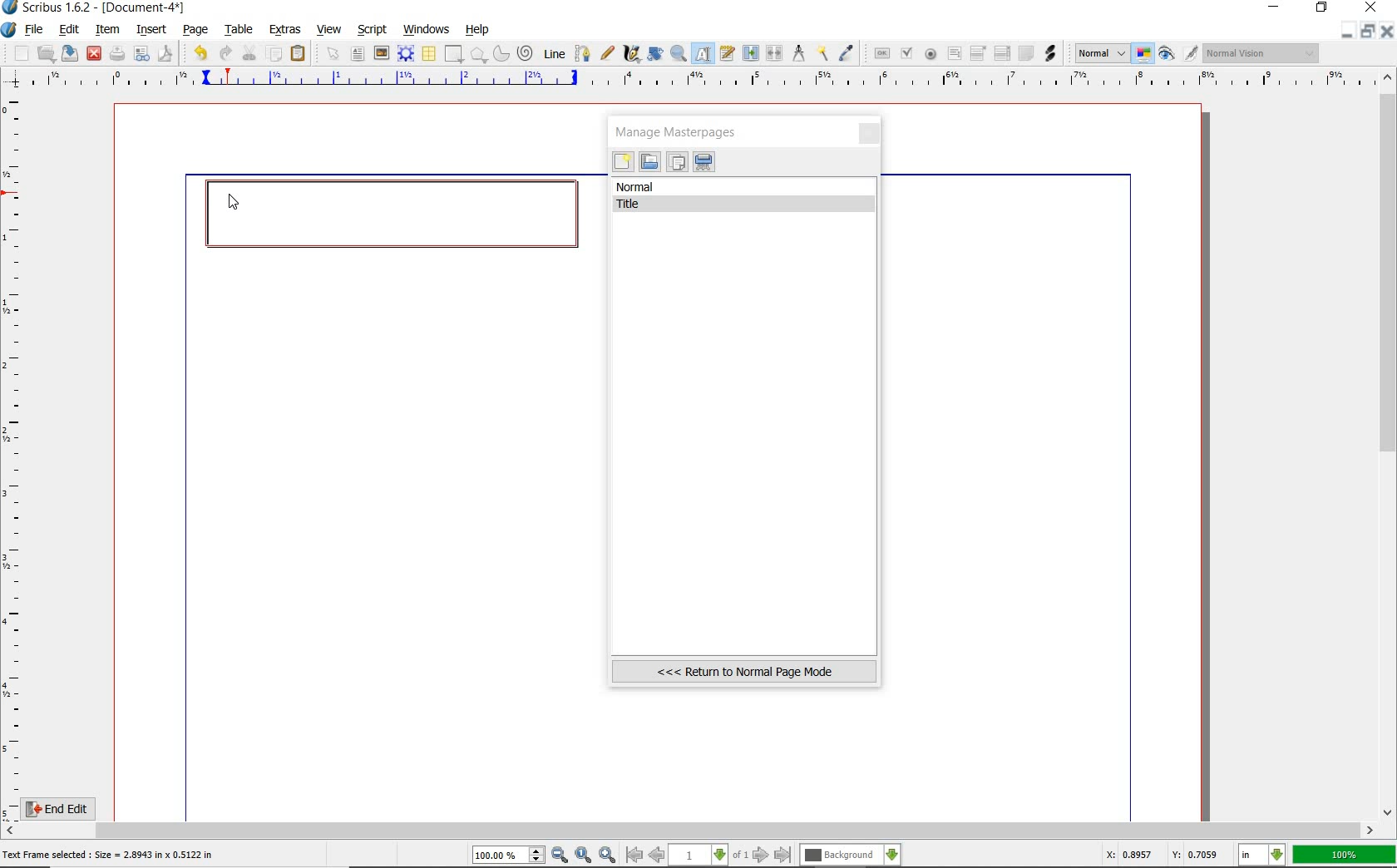 The width and height of the screenshot is (1397, 868). Describe the element at coordinates (659, 856) in the screenshot. I see `go to previous page` at that location.